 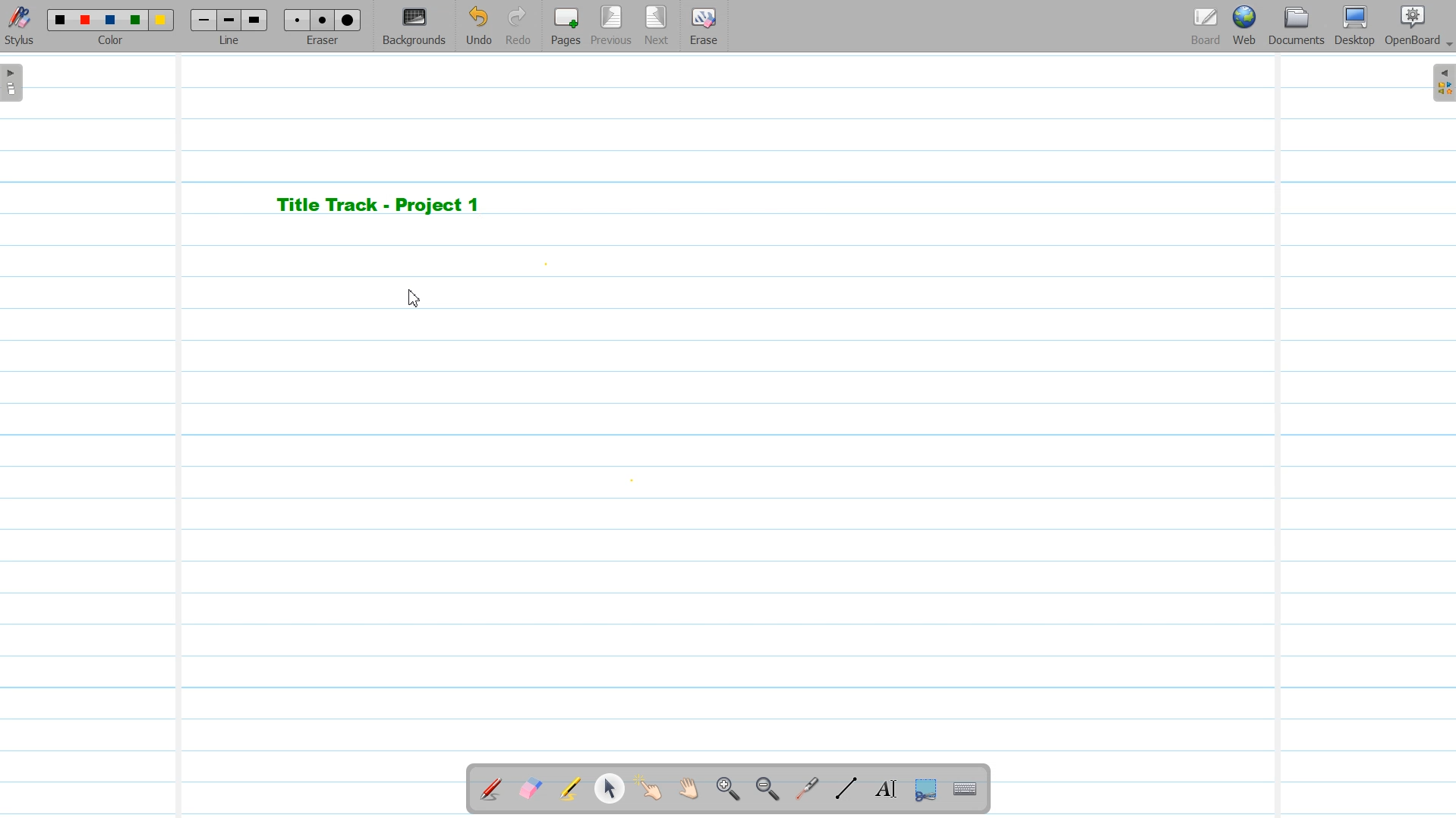 What do you see at coordinates (532, 790) in the screenshot?
I see `Erase Annotation` at bounding box center [532, 790].